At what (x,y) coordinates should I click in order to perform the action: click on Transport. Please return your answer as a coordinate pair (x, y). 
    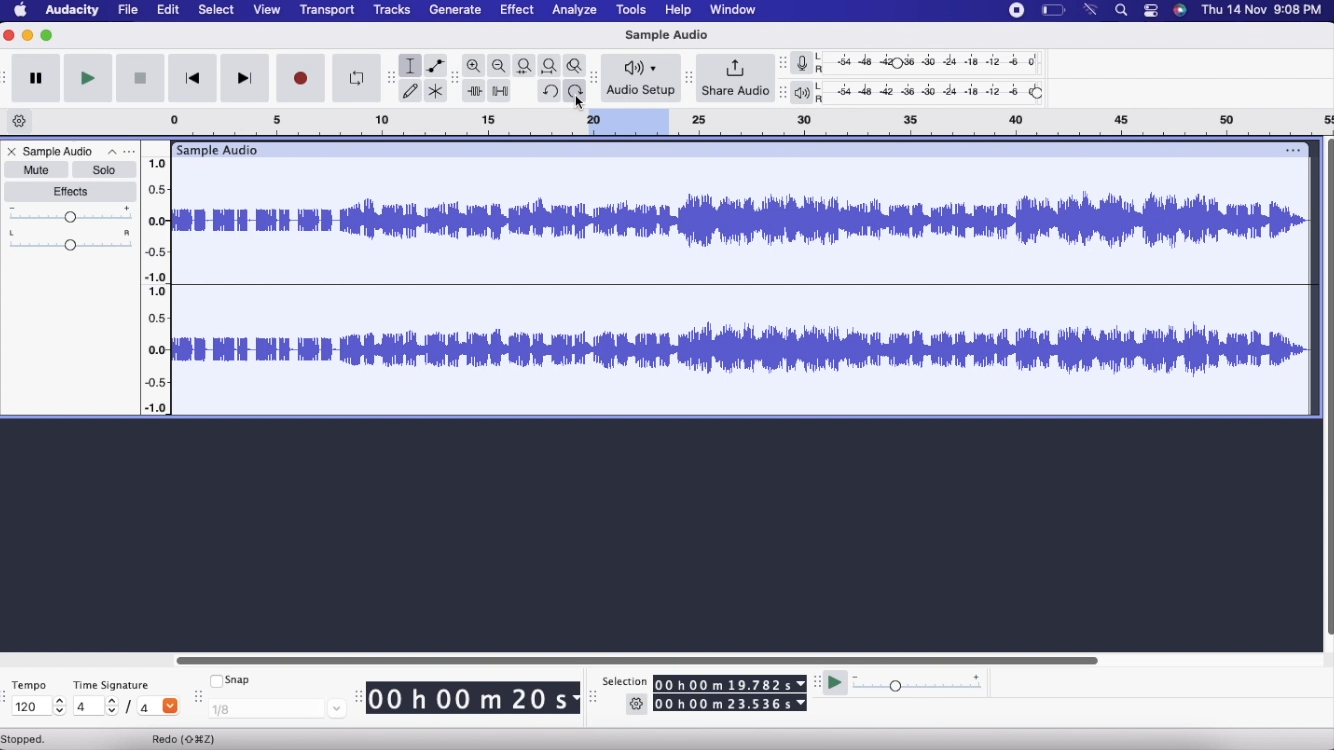
    Looking at the image, I should click on (328, 11).